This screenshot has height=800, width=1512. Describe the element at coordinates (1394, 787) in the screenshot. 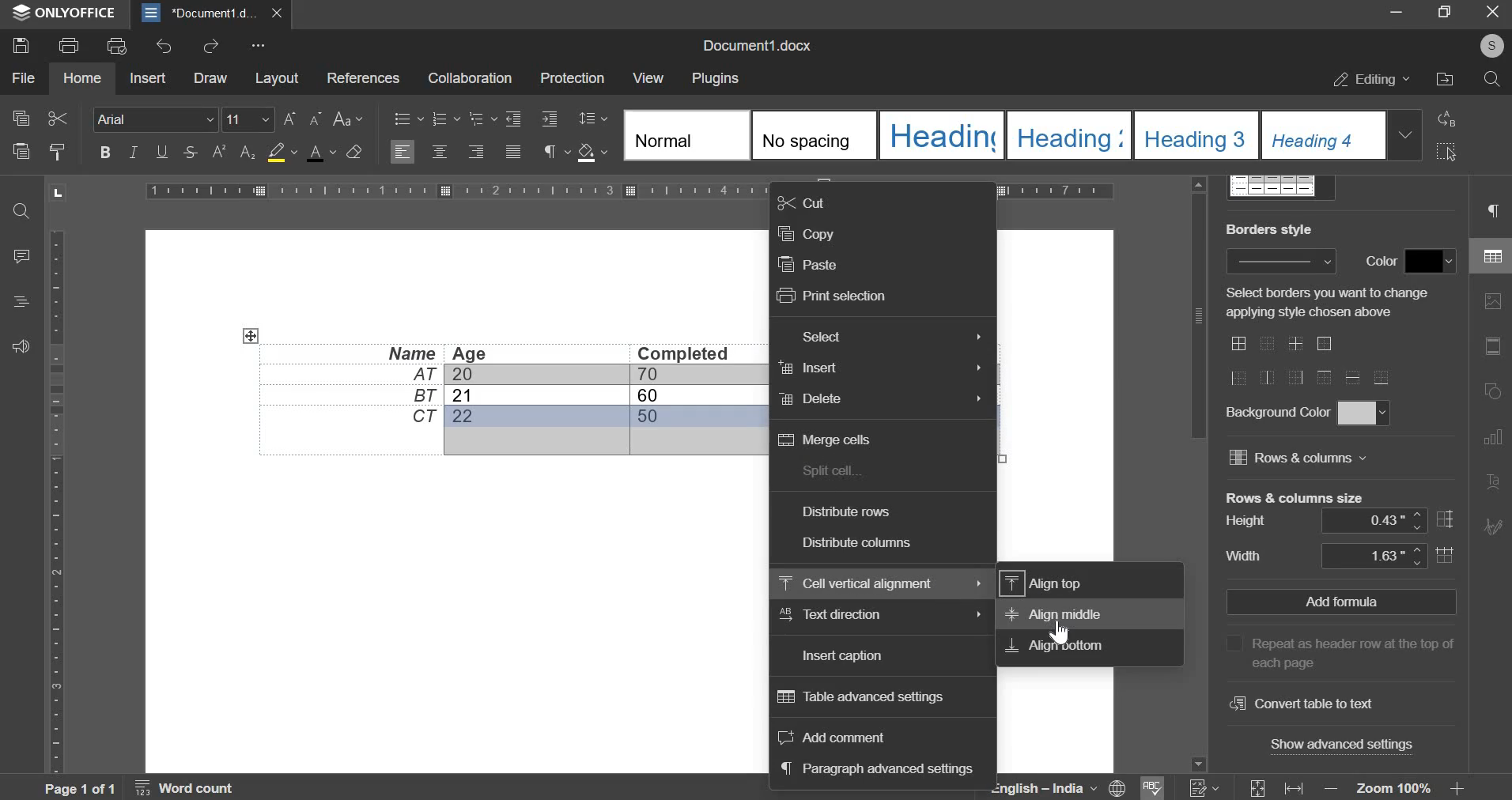

I see `zoom` at that location.